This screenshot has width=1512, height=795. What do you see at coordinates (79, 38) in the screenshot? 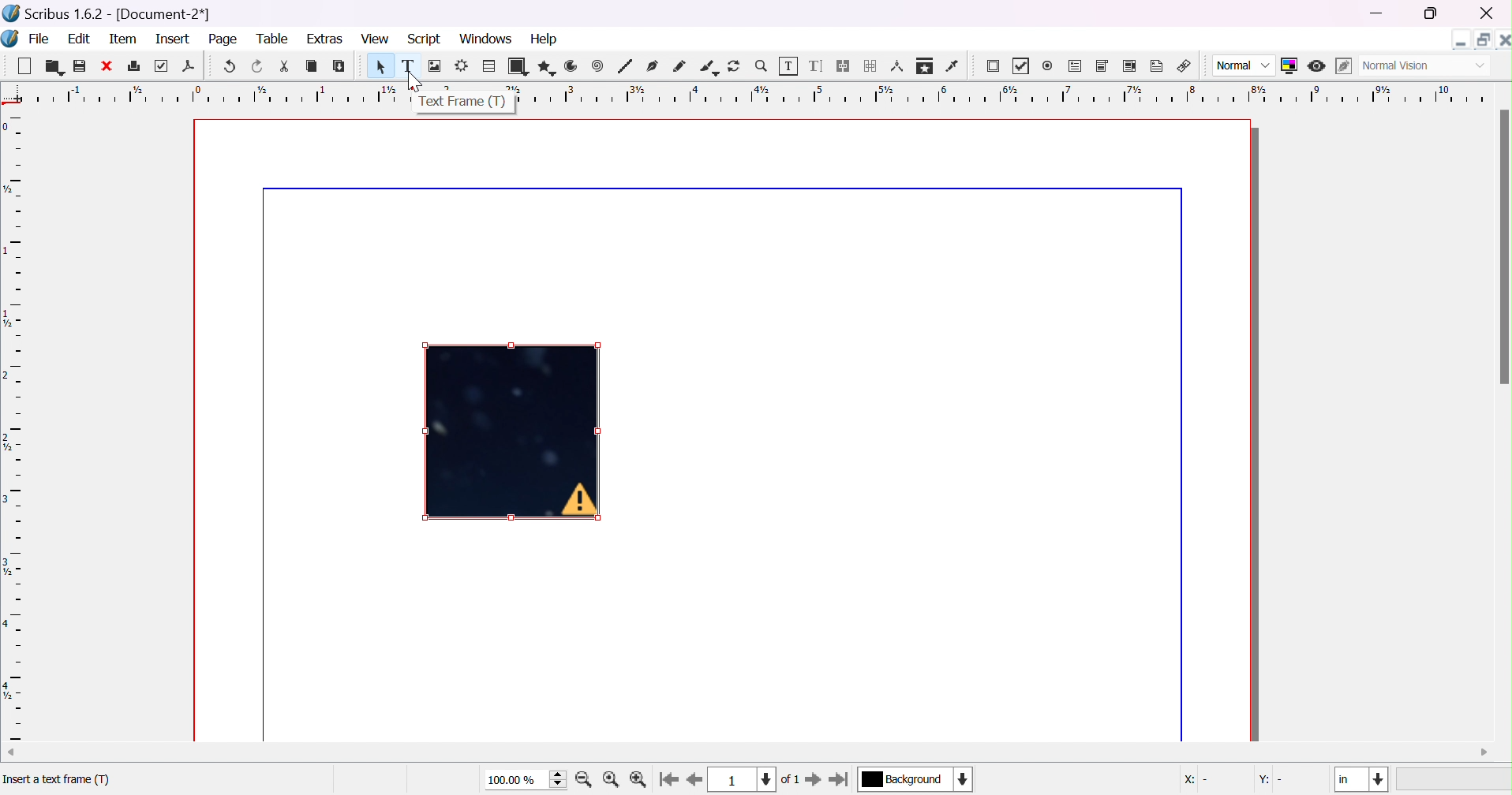
I see `edit` at bounding box center [79, 38].